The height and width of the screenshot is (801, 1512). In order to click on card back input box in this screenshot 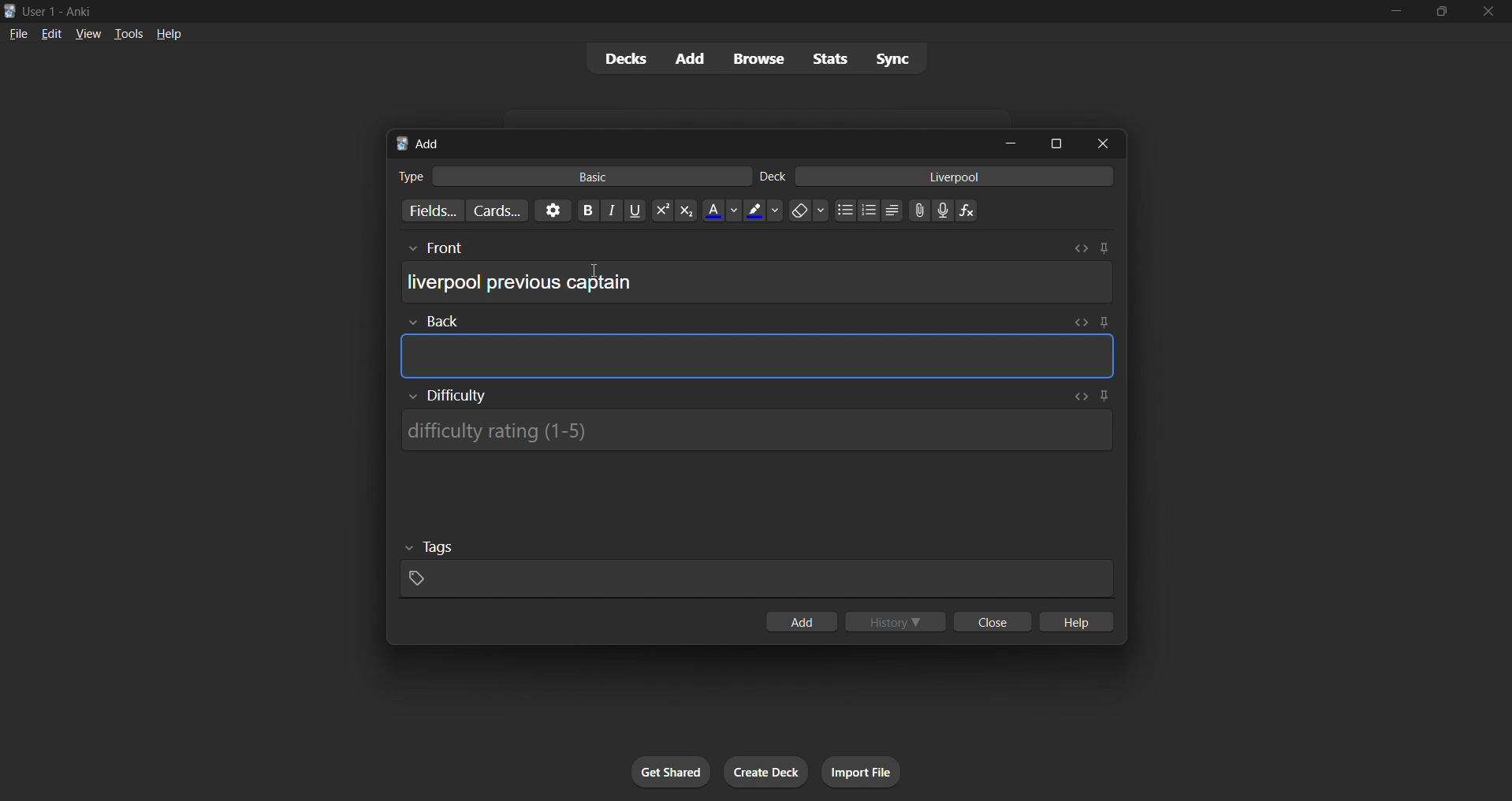, I will do `click(759, 348)`.